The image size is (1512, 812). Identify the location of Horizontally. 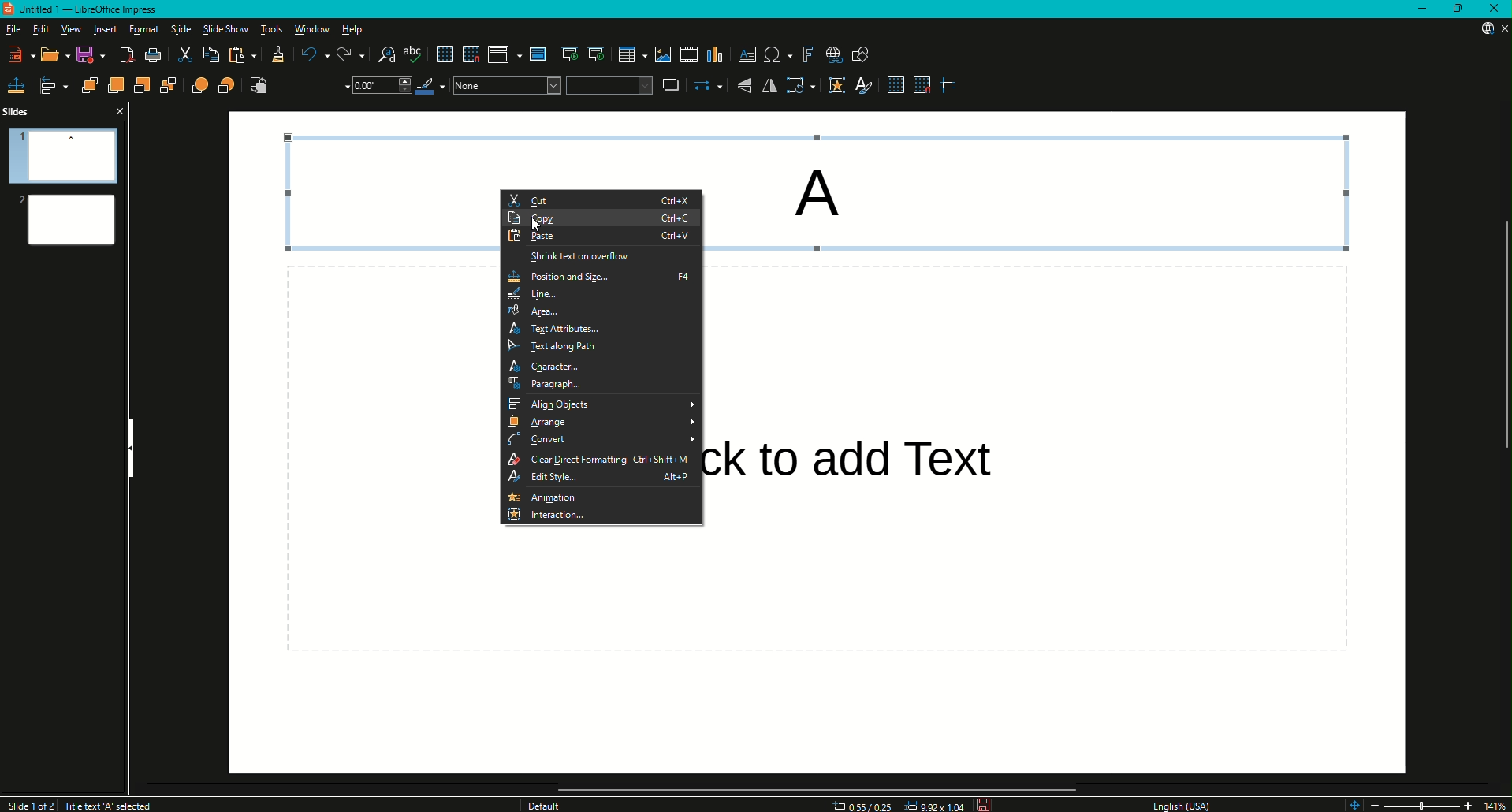
(773, 85).